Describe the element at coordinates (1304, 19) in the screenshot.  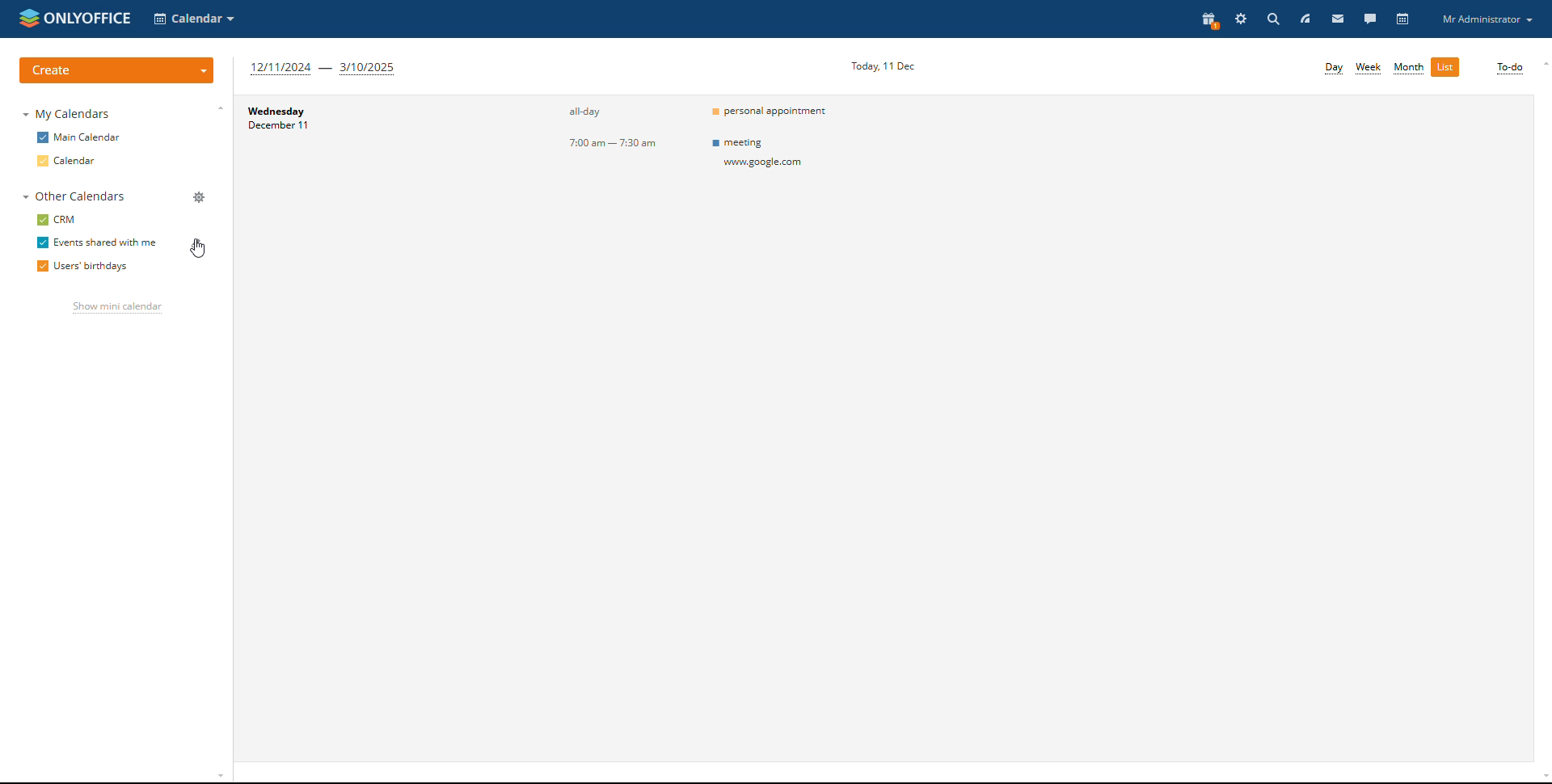
I see `feed` at that location.